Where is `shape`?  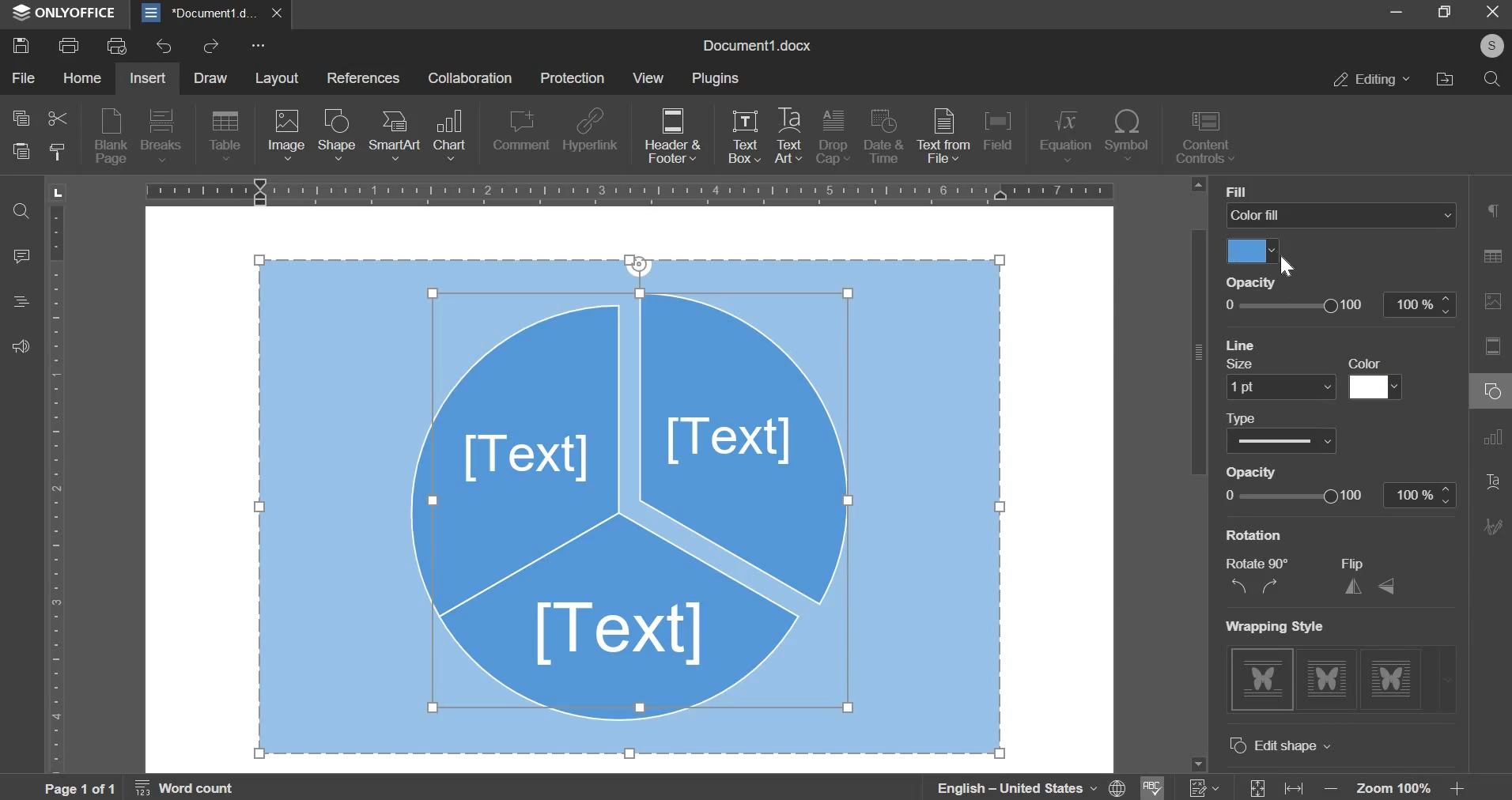
shape is located at coordinates (338, 134).